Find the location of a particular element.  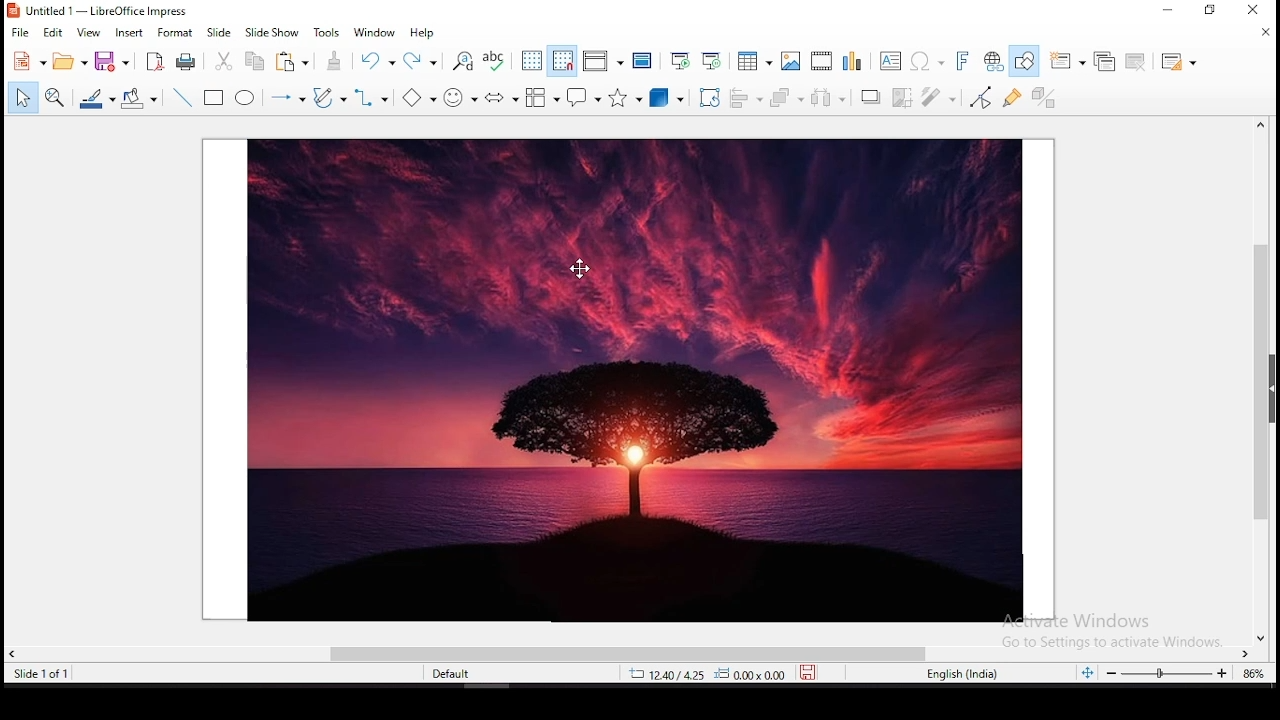

edit is located at coordinates (55, 33).